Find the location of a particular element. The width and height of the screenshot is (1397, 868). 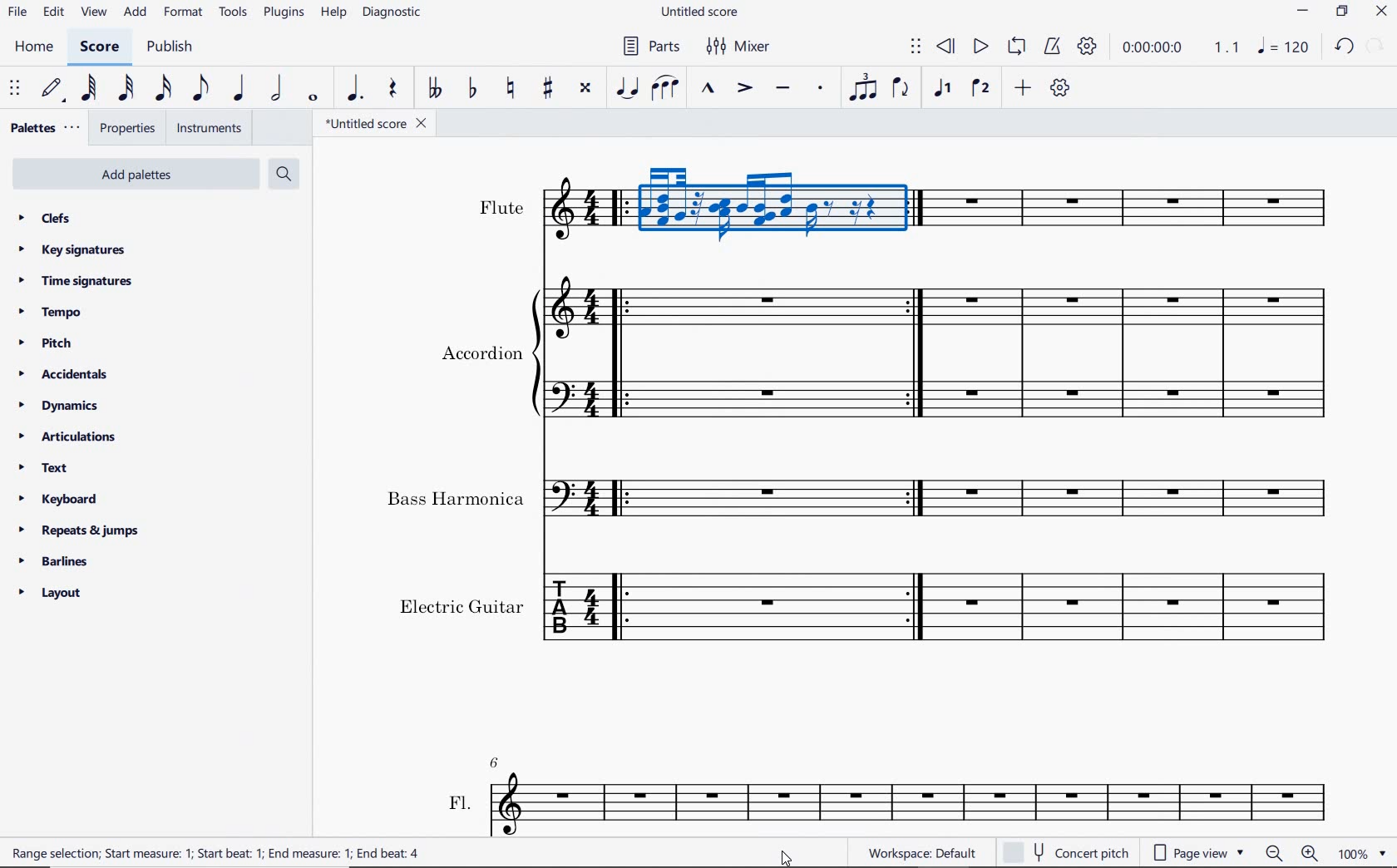

properties is located at coordinates (129, 129).